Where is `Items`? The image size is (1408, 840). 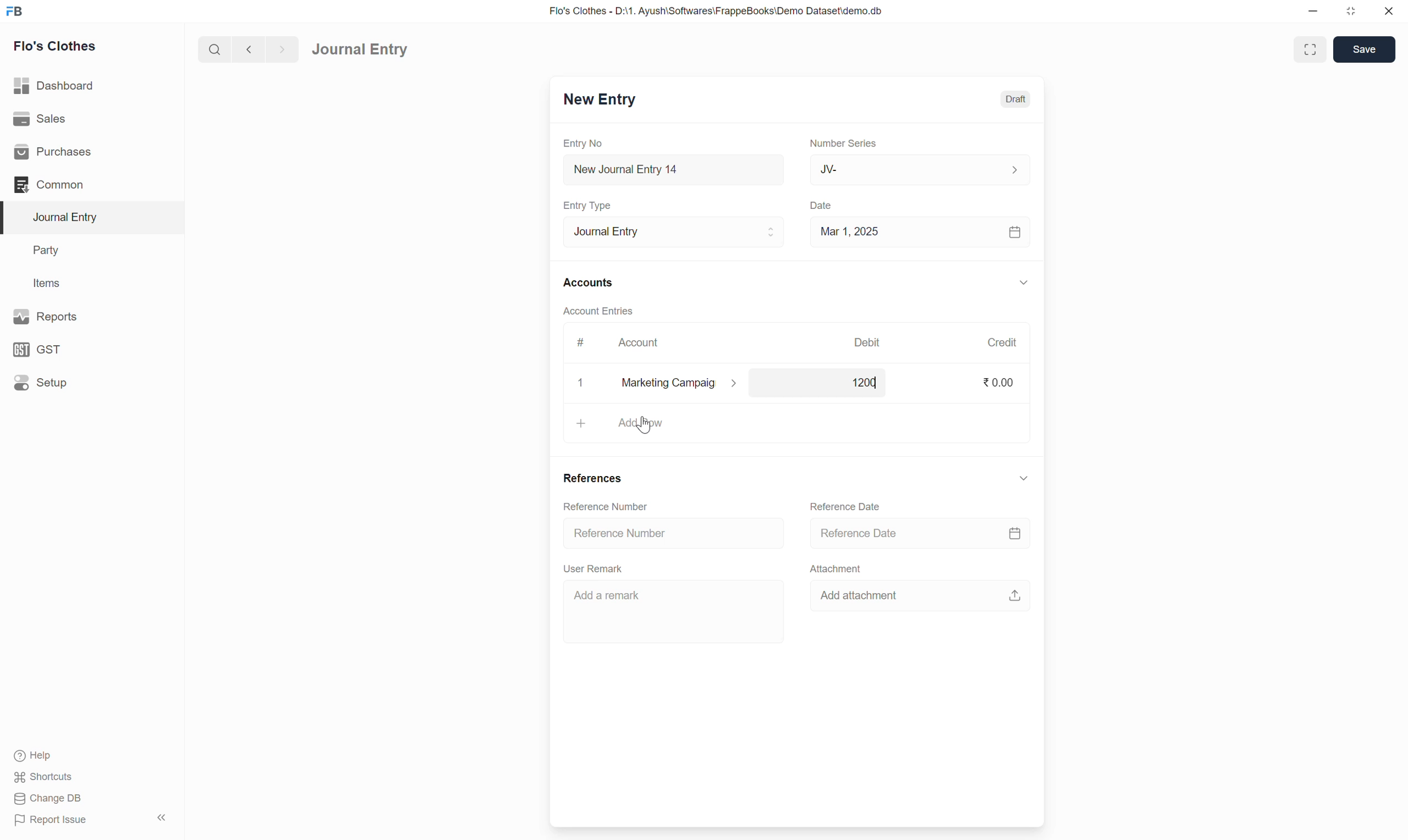 Items is located at coordinates (46, 282).